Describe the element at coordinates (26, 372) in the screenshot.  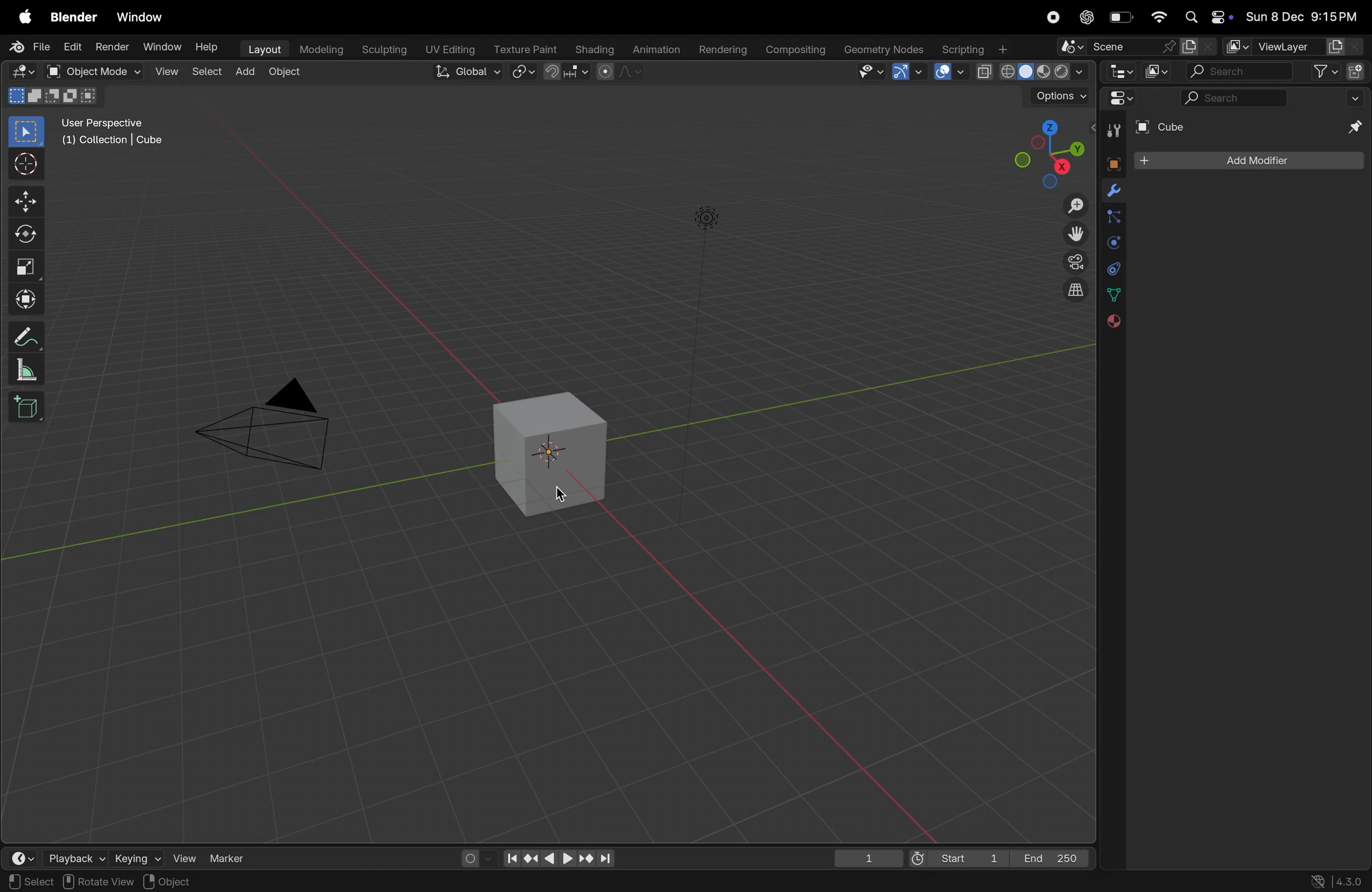
I see `measure ` at that location.